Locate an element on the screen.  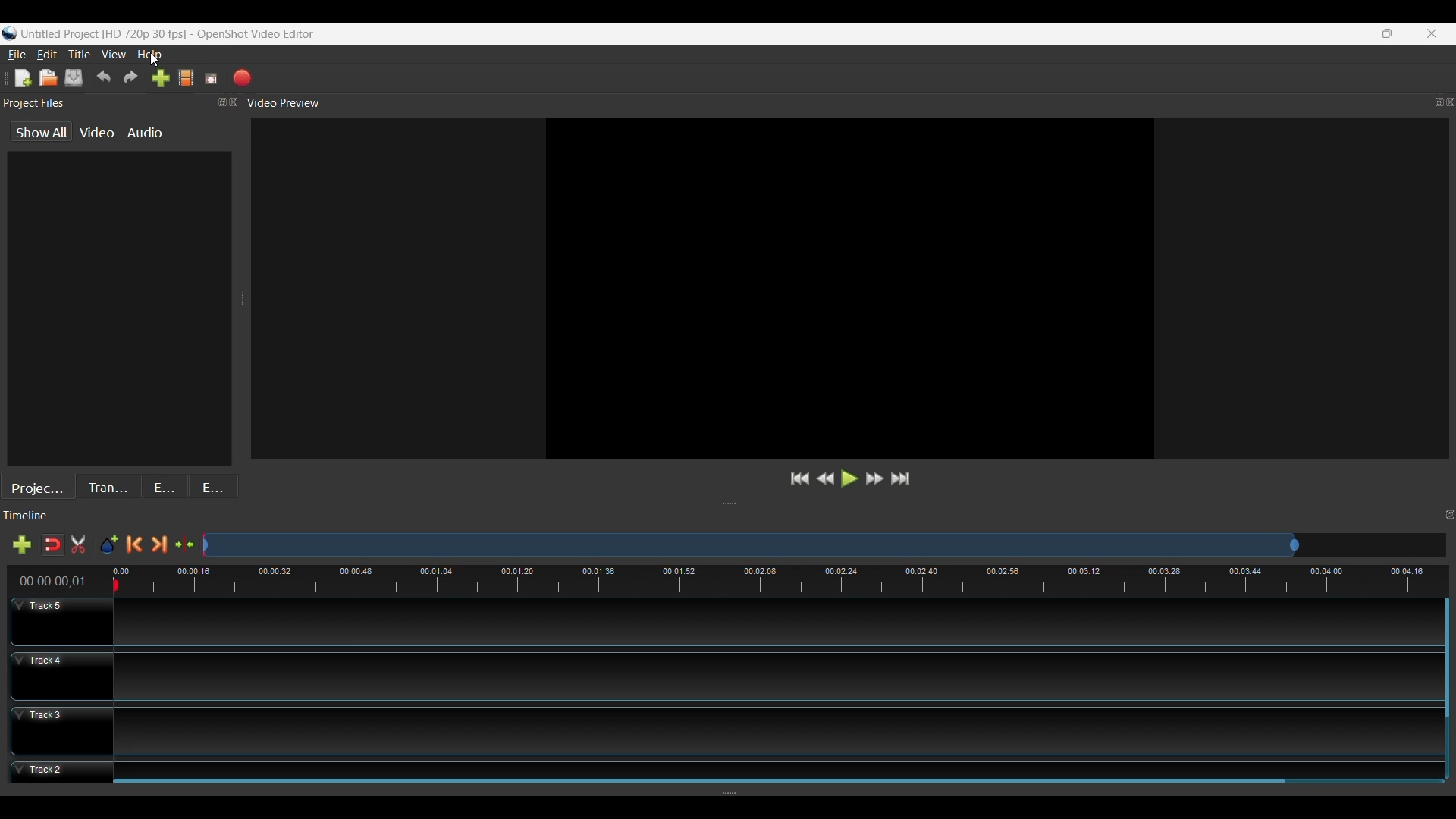
Audio is located at coordinates (144, 133).